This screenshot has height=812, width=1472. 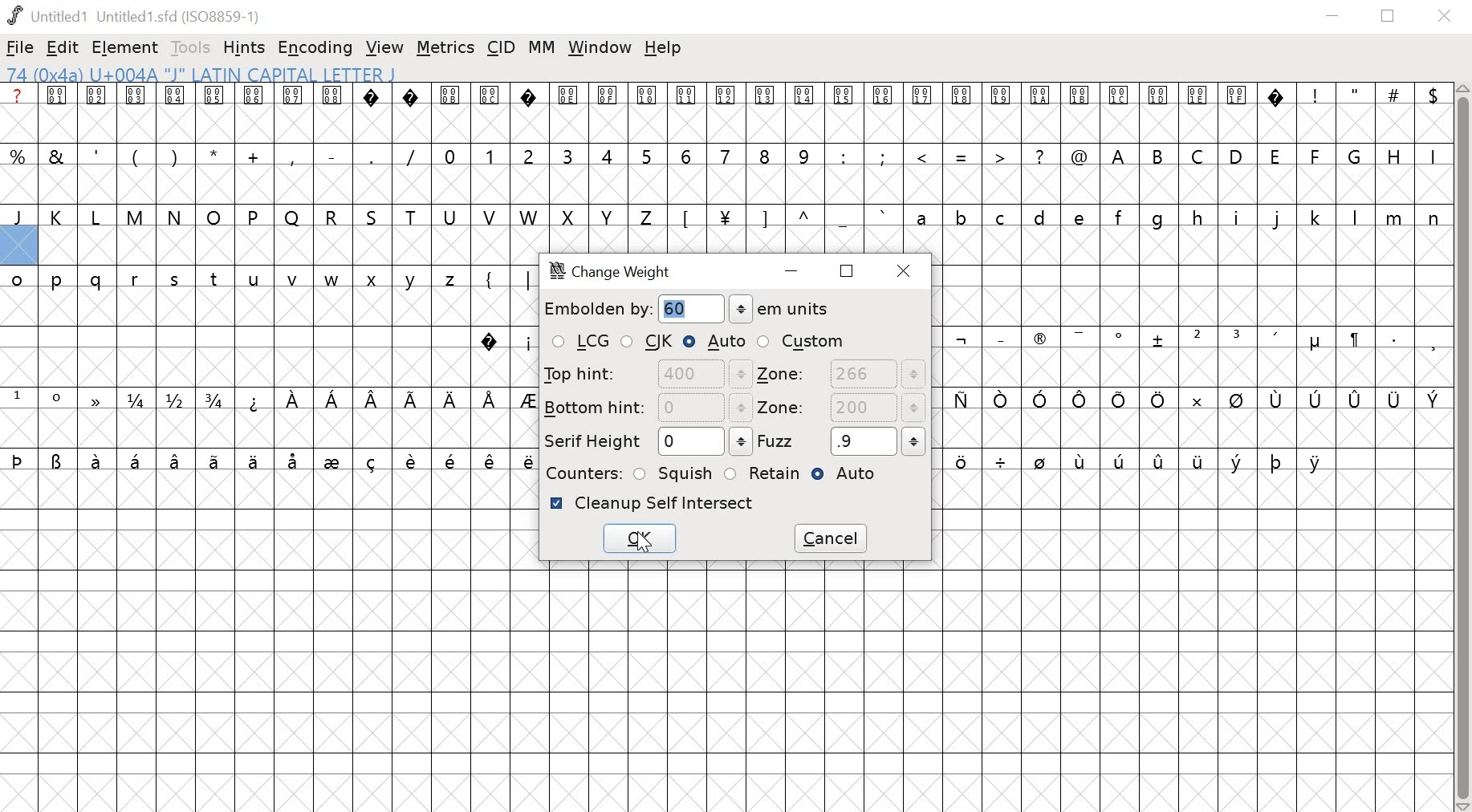 What do you see at coordinates (1275, 155) in the screenshot?
I see `uppercase letters` at bounding box center [1275, 155].